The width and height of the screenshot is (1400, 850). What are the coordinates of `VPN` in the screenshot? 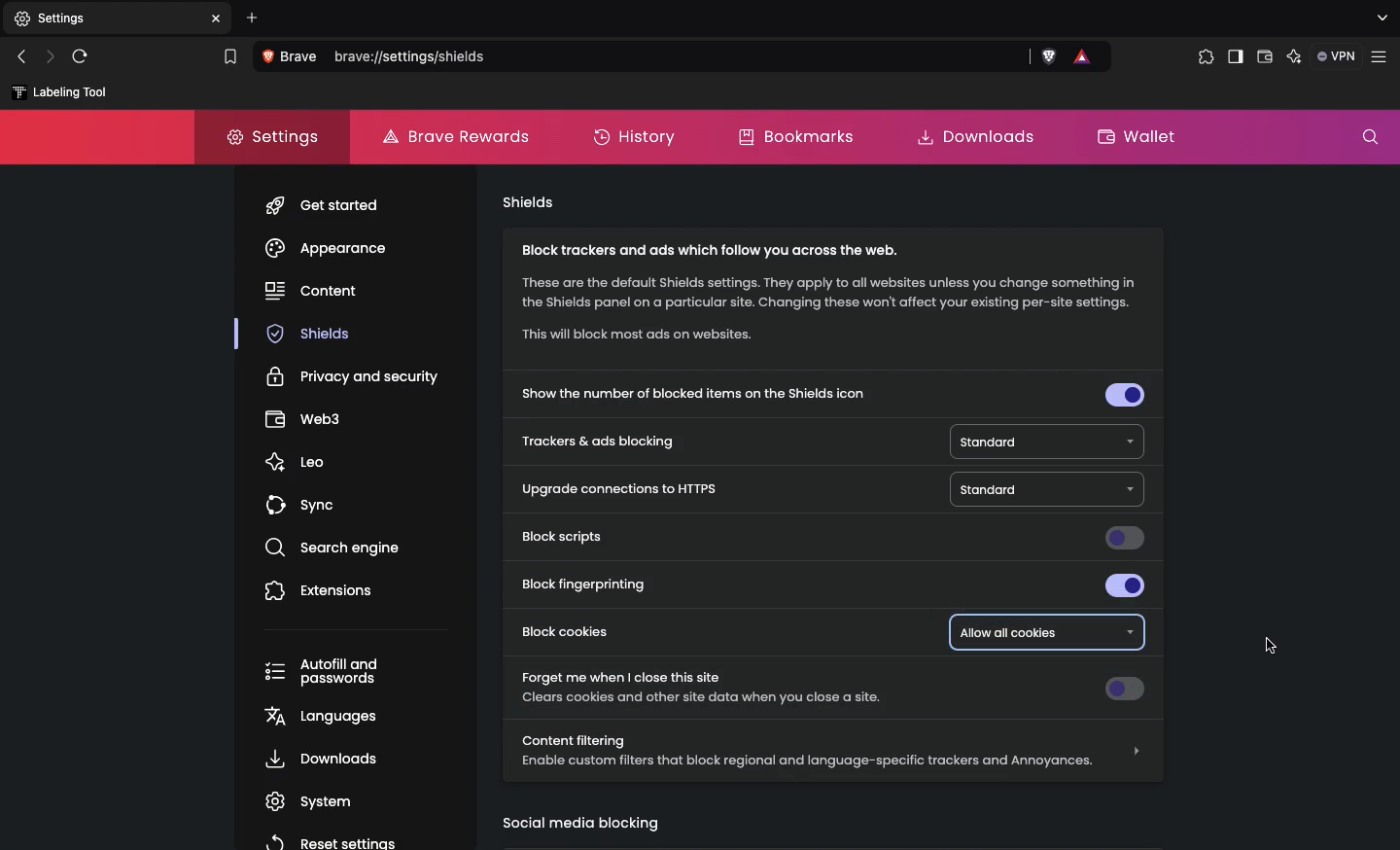 It's located at (1338, 57).